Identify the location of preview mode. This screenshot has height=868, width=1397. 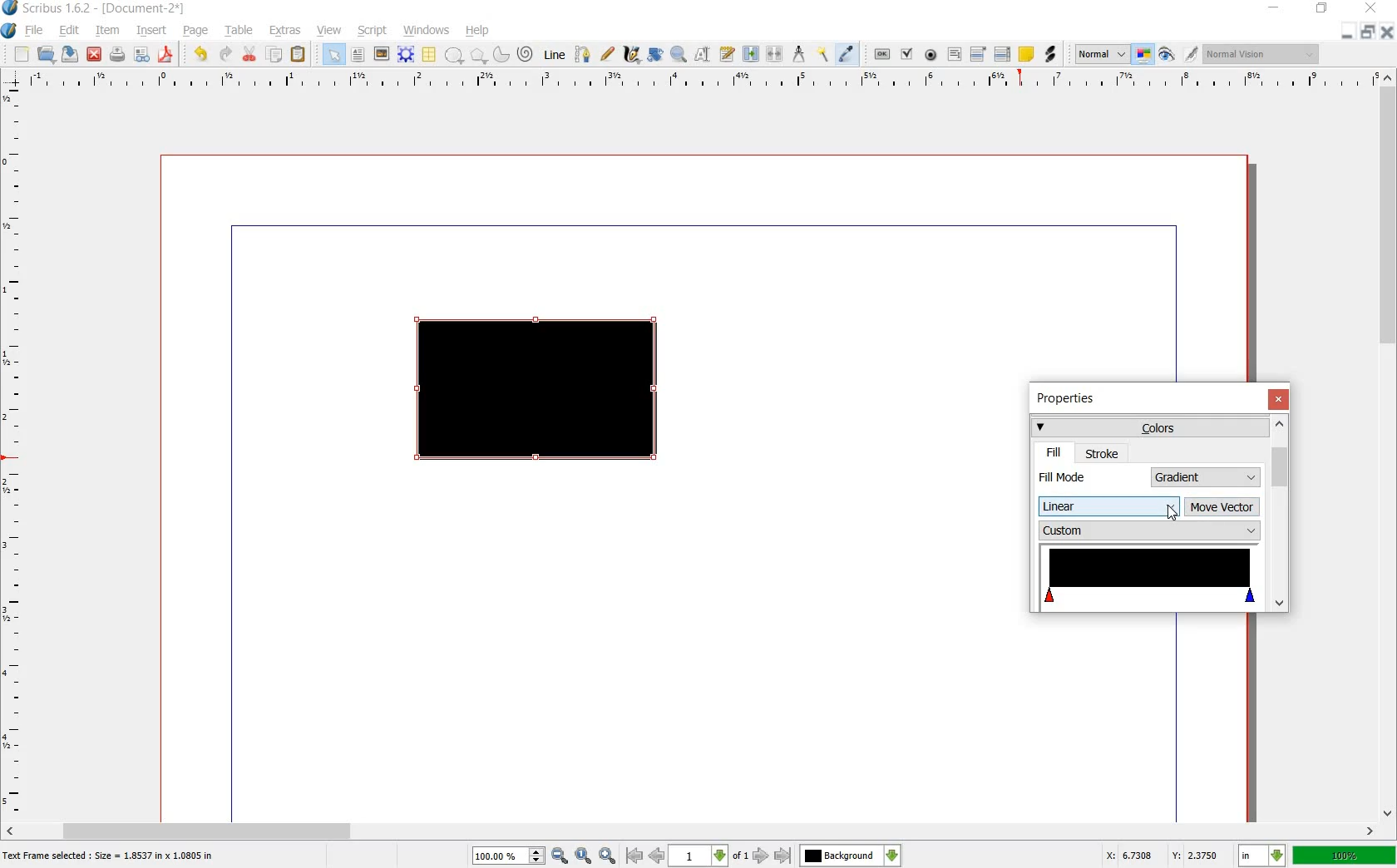
(1167, 54).